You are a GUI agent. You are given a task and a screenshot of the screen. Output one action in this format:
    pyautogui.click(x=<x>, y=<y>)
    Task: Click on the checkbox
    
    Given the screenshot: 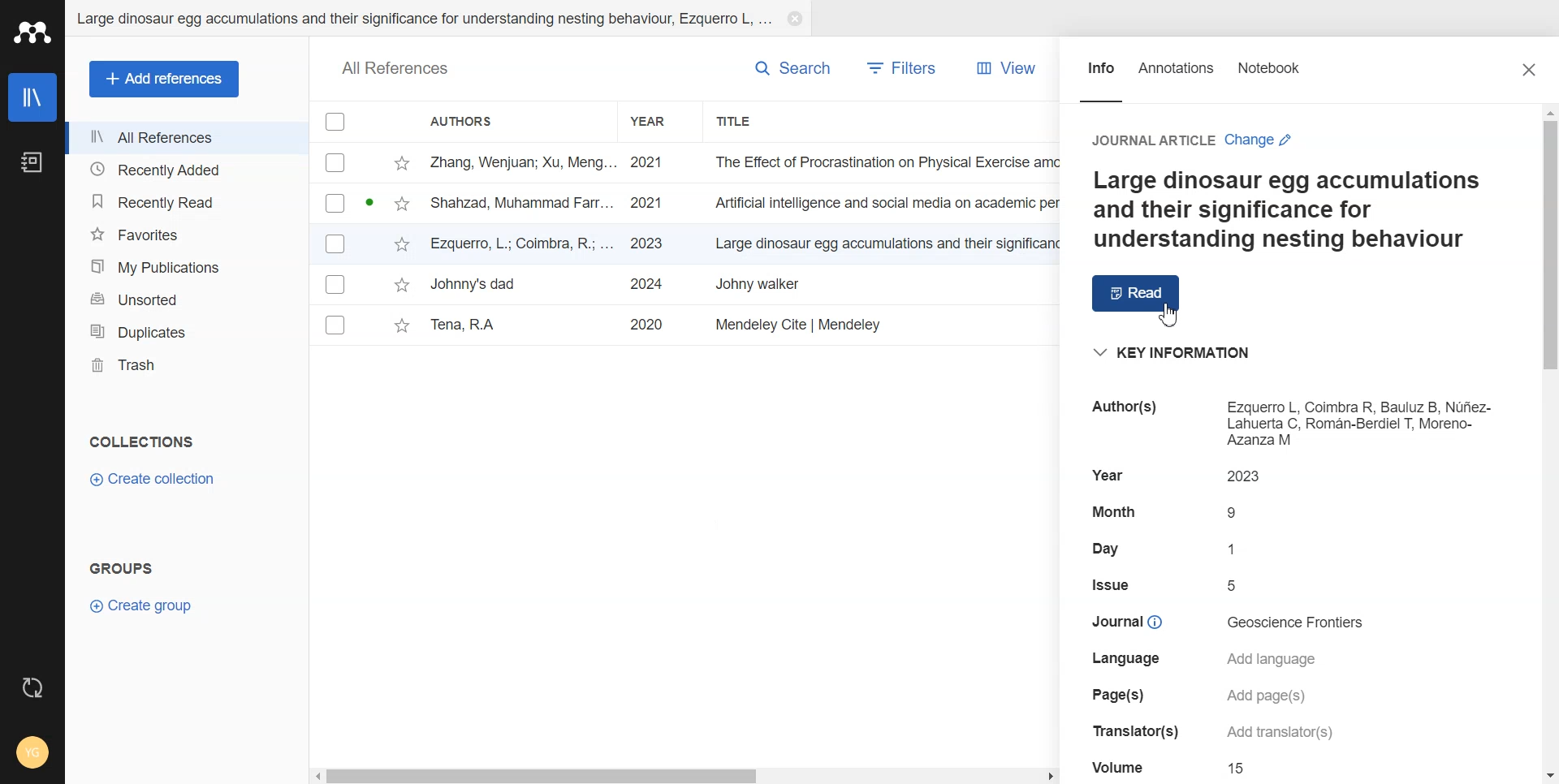 What is the action you would take?
    pyautogui.click(x=335, y=325)
    